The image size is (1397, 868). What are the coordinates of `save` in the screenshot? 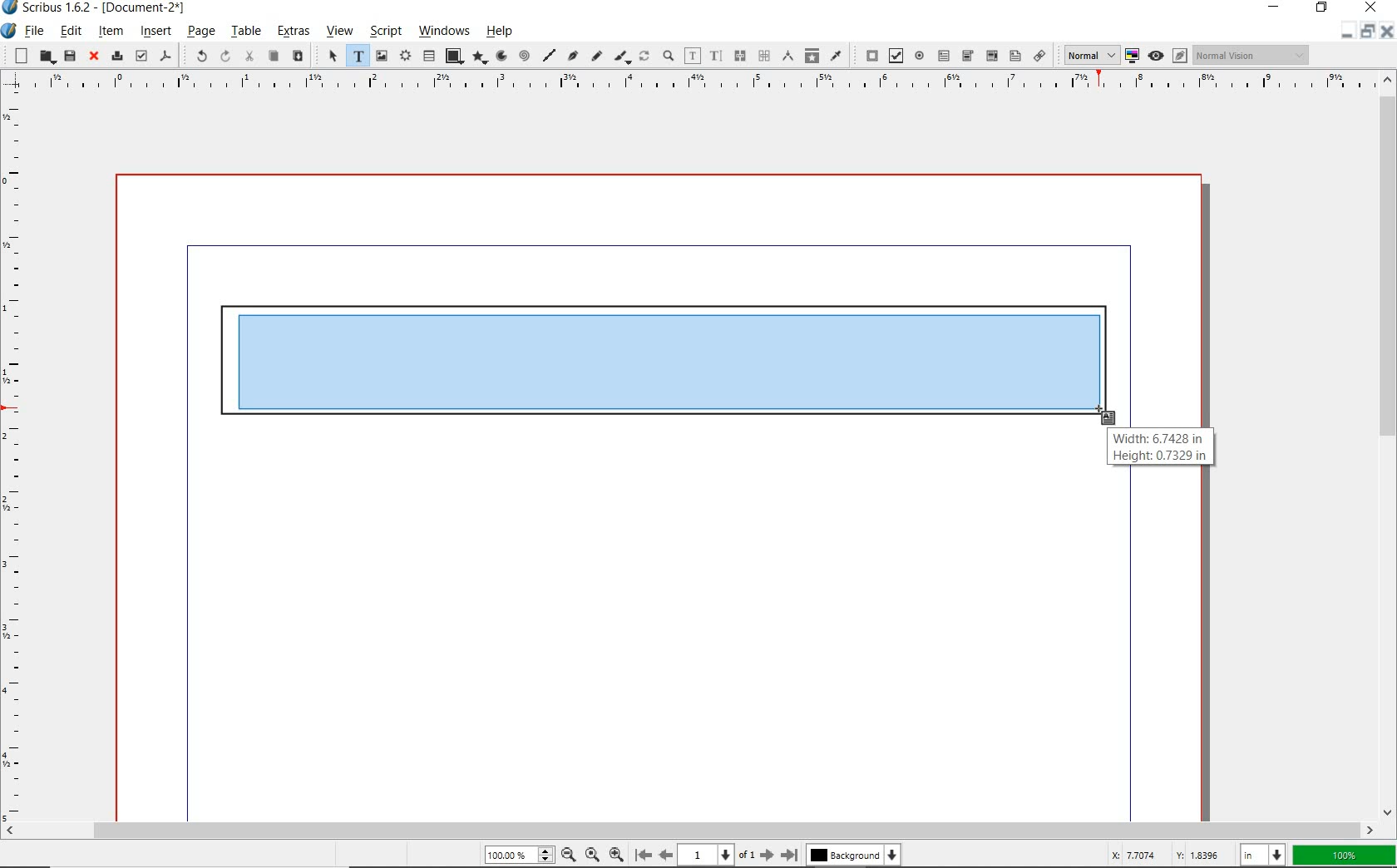 It's located at (70, 56).